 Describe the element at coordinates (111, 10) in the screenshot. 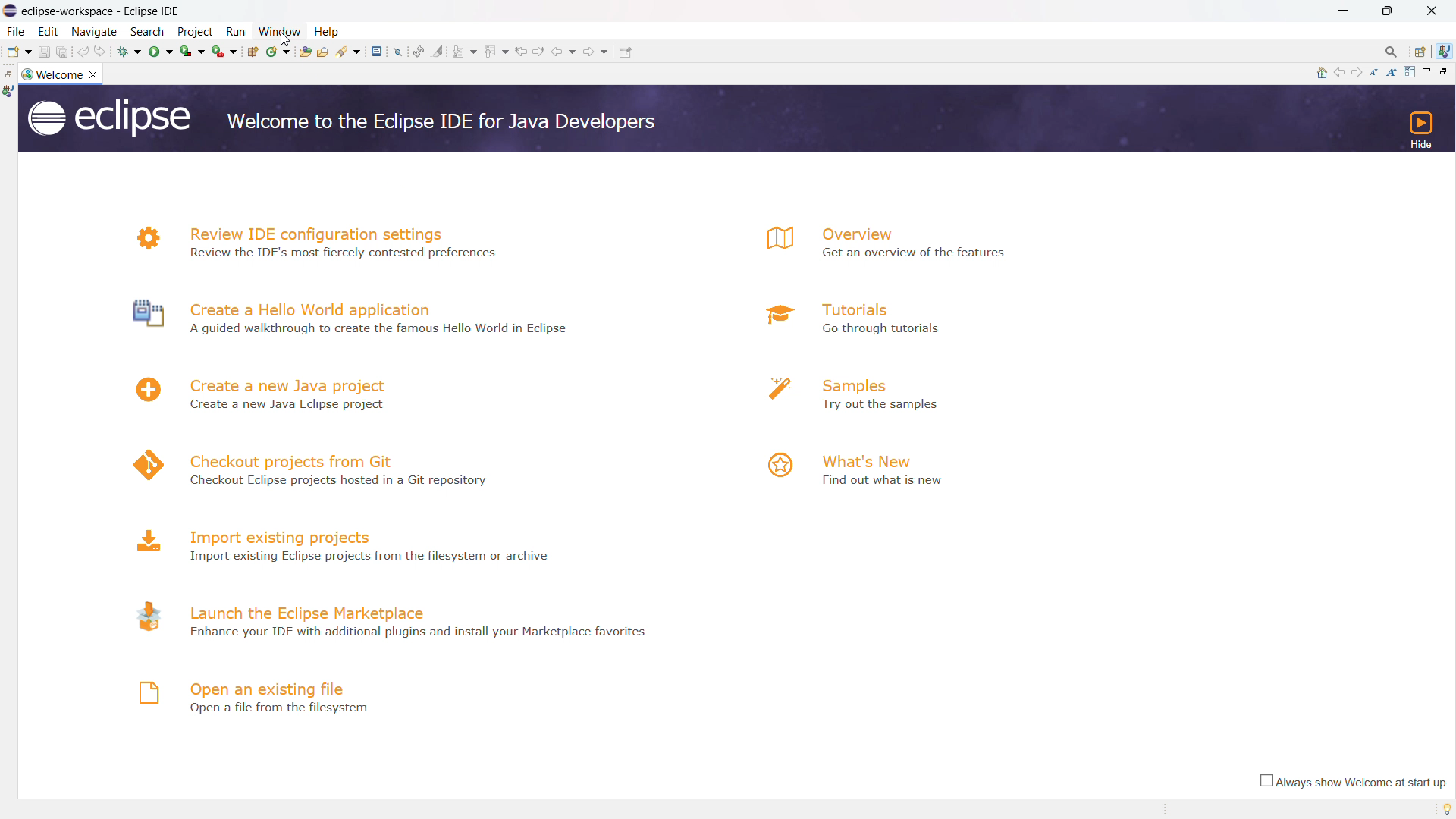

I see `Title` at that location.